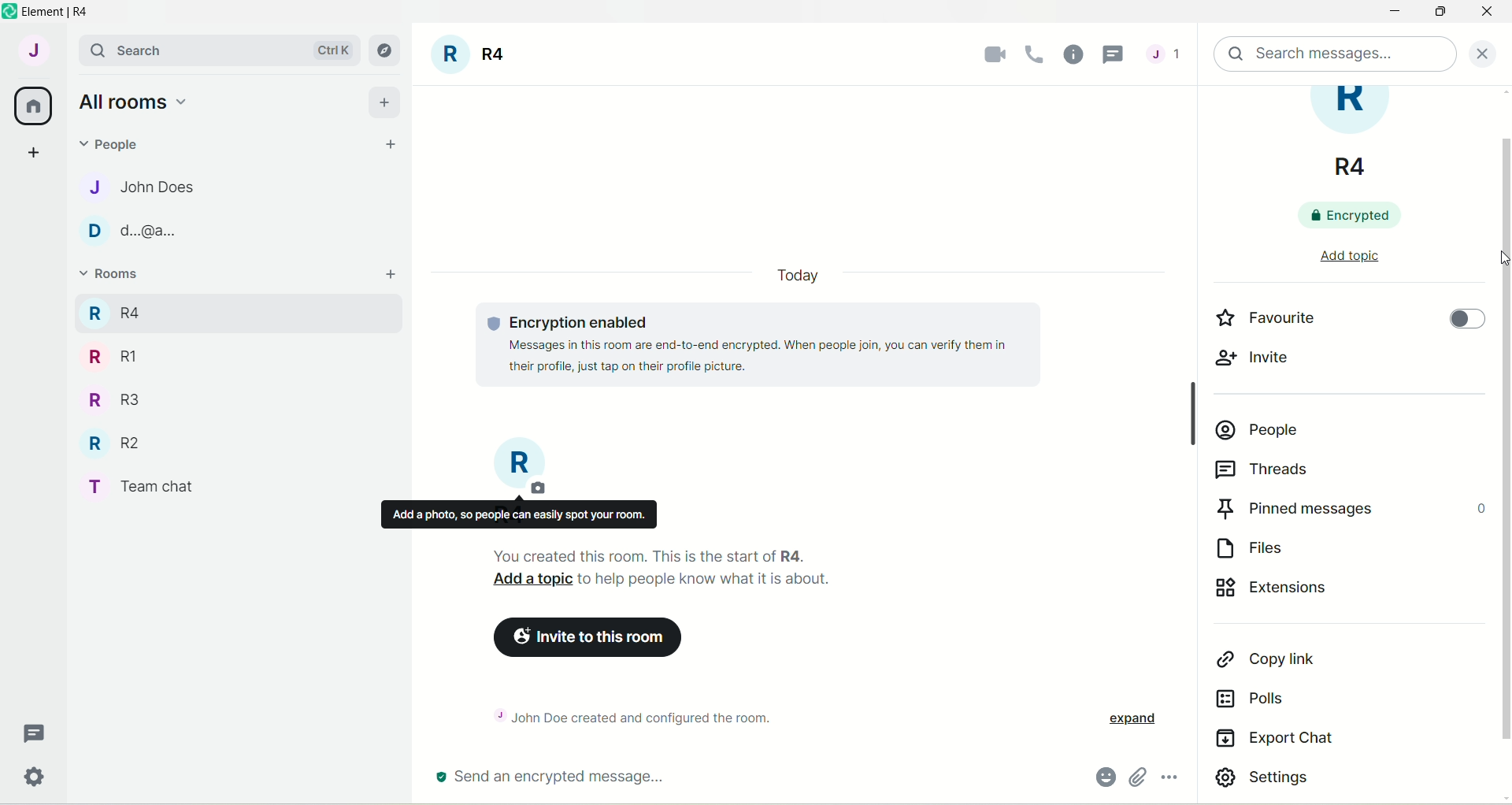 Image resolution: width=1512 pixels, height=805 pixels. What do you see at coordinates (1443, 13) in the screenshot?
I see `maximize` at bounding box center [1443, 13].